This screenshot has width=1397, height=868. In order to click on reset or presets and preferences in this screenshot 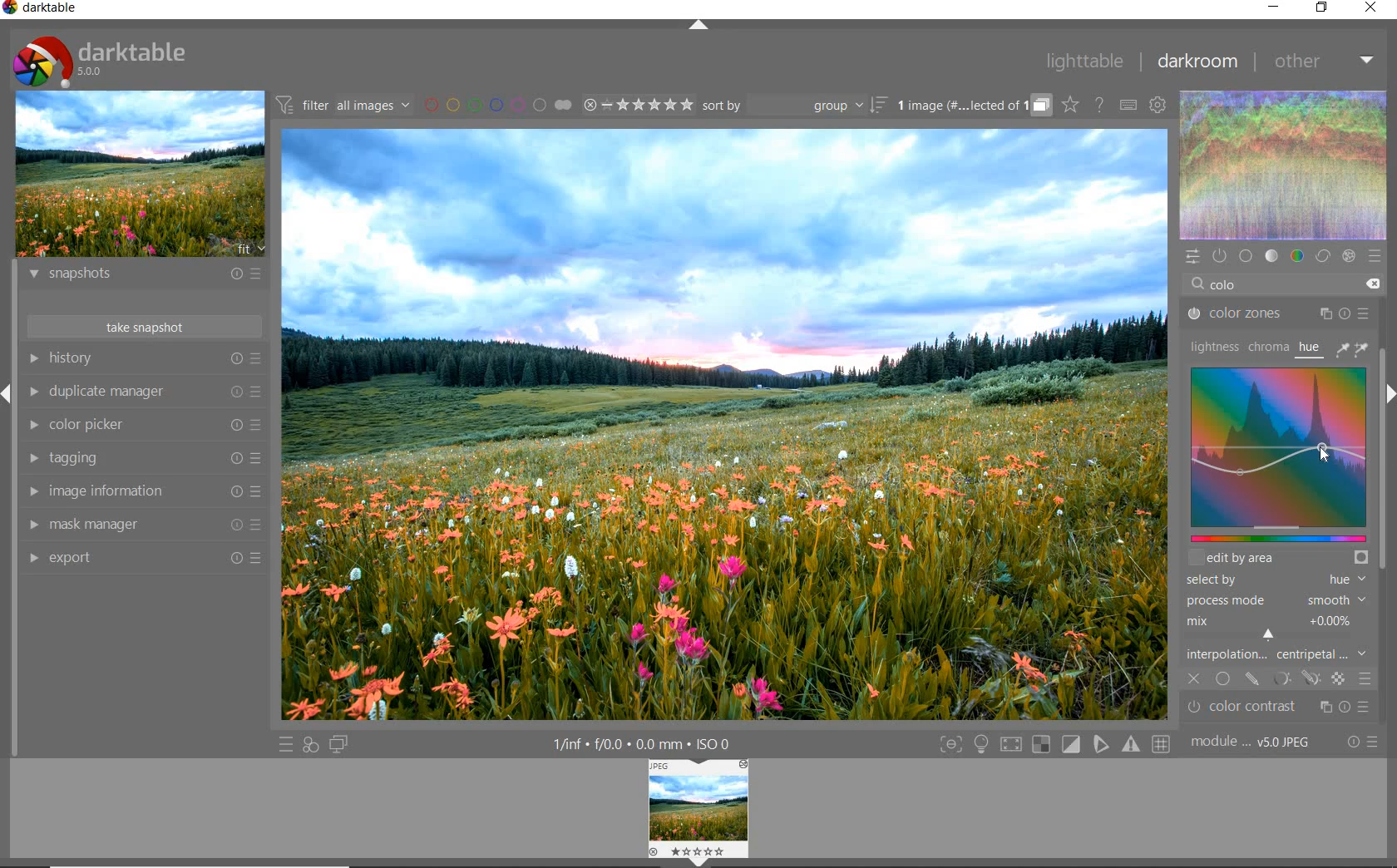, I will do `click(1364, 742)`.